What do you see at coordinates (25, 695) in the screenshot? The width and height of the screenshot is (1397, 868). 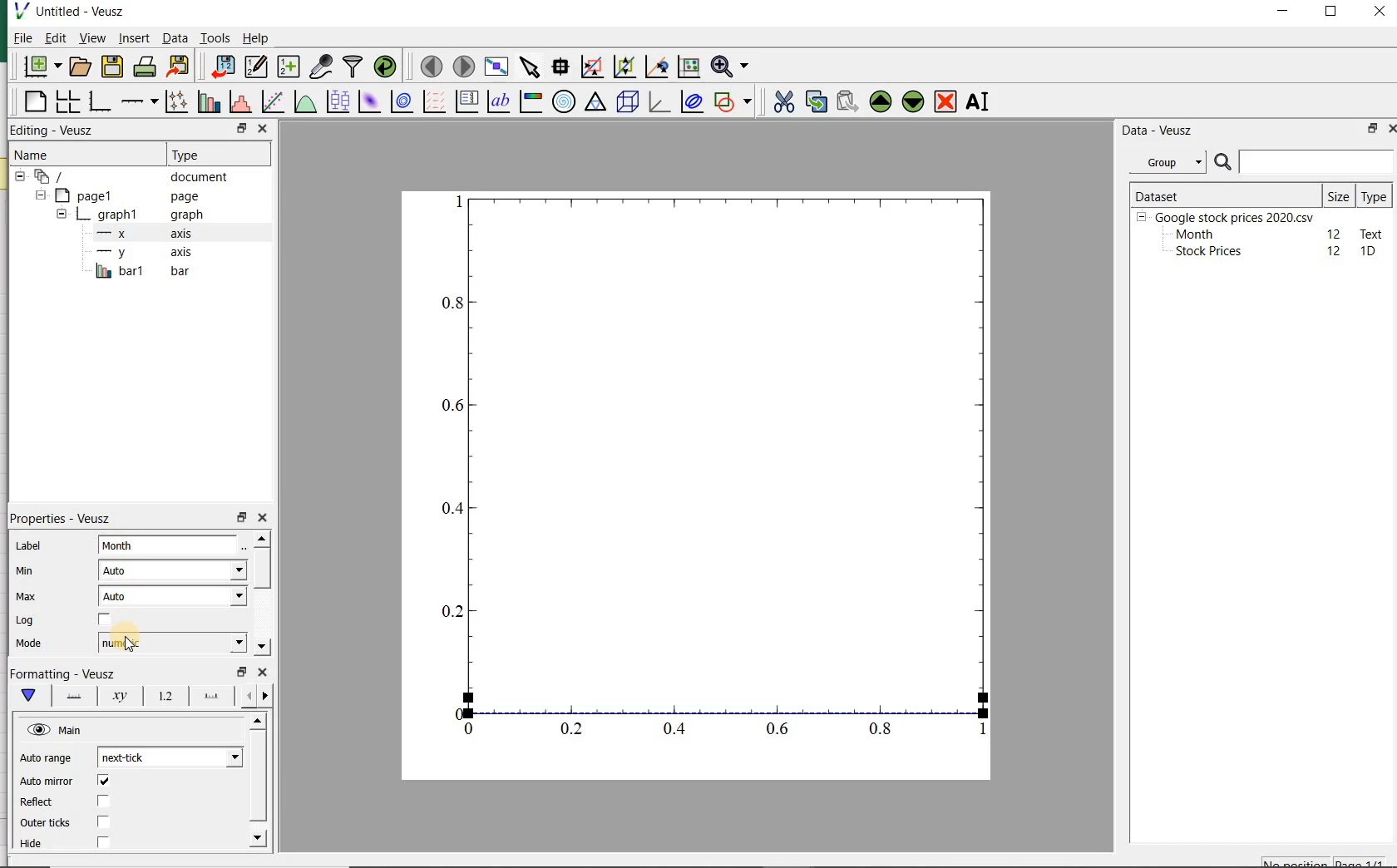 I see `main formatting` at bounding box center [25, 695].